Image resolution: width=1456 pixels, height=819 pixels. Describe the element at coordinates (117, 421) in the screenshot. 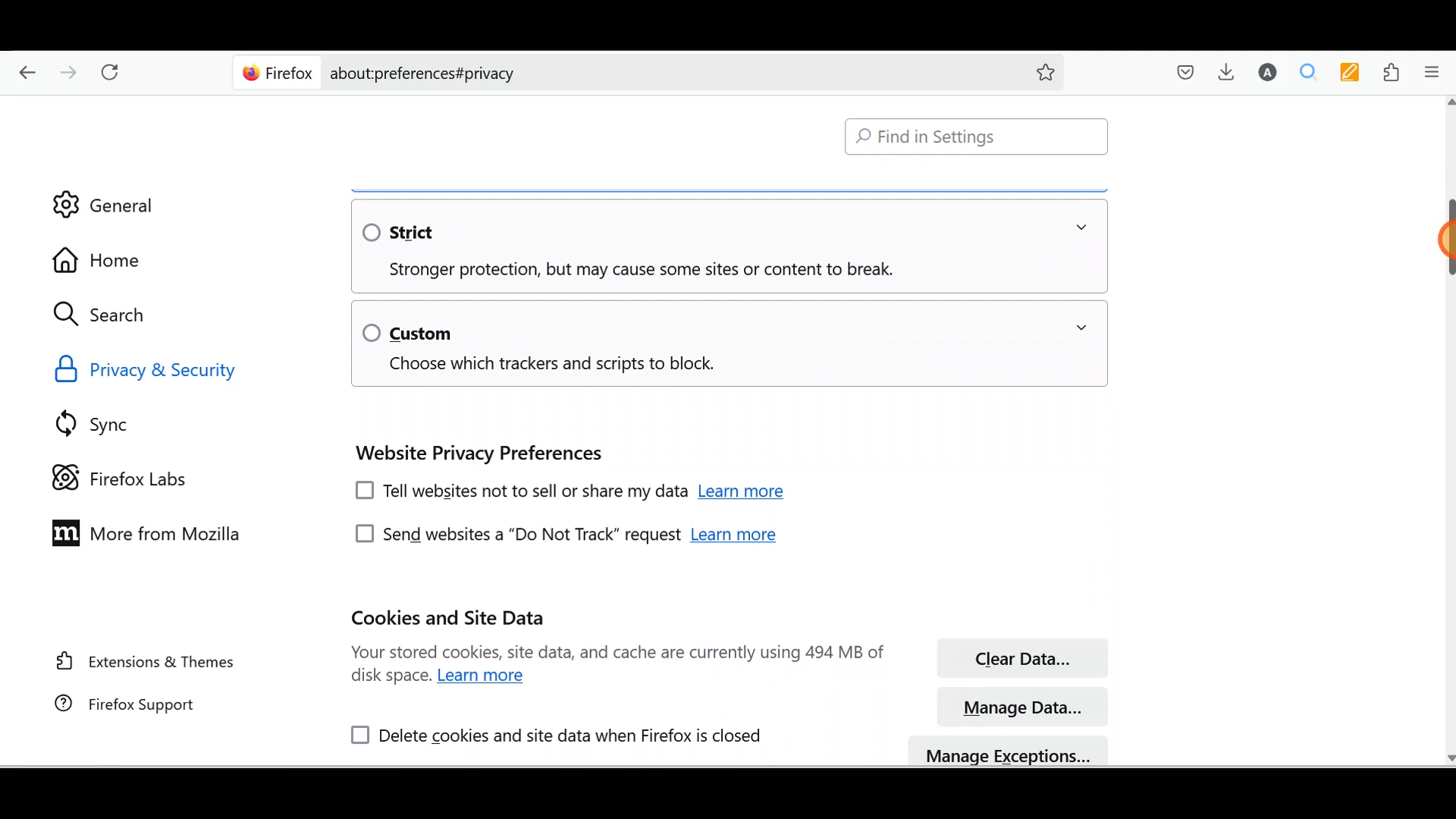

I see `Sync` at that location.